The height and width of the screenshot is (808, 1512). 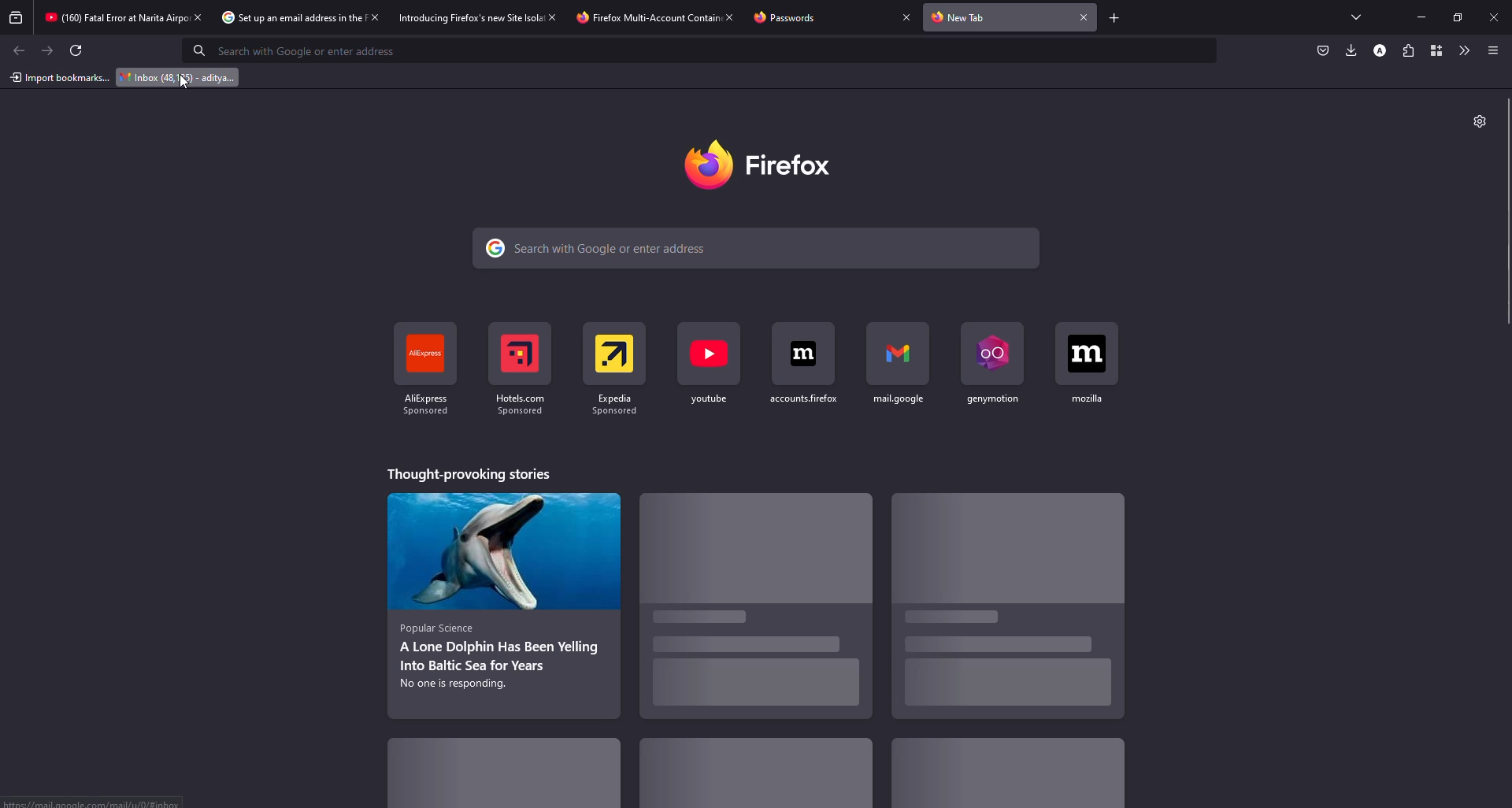 I want to click on Thought-provoking stories, so click(x=473, y=474).